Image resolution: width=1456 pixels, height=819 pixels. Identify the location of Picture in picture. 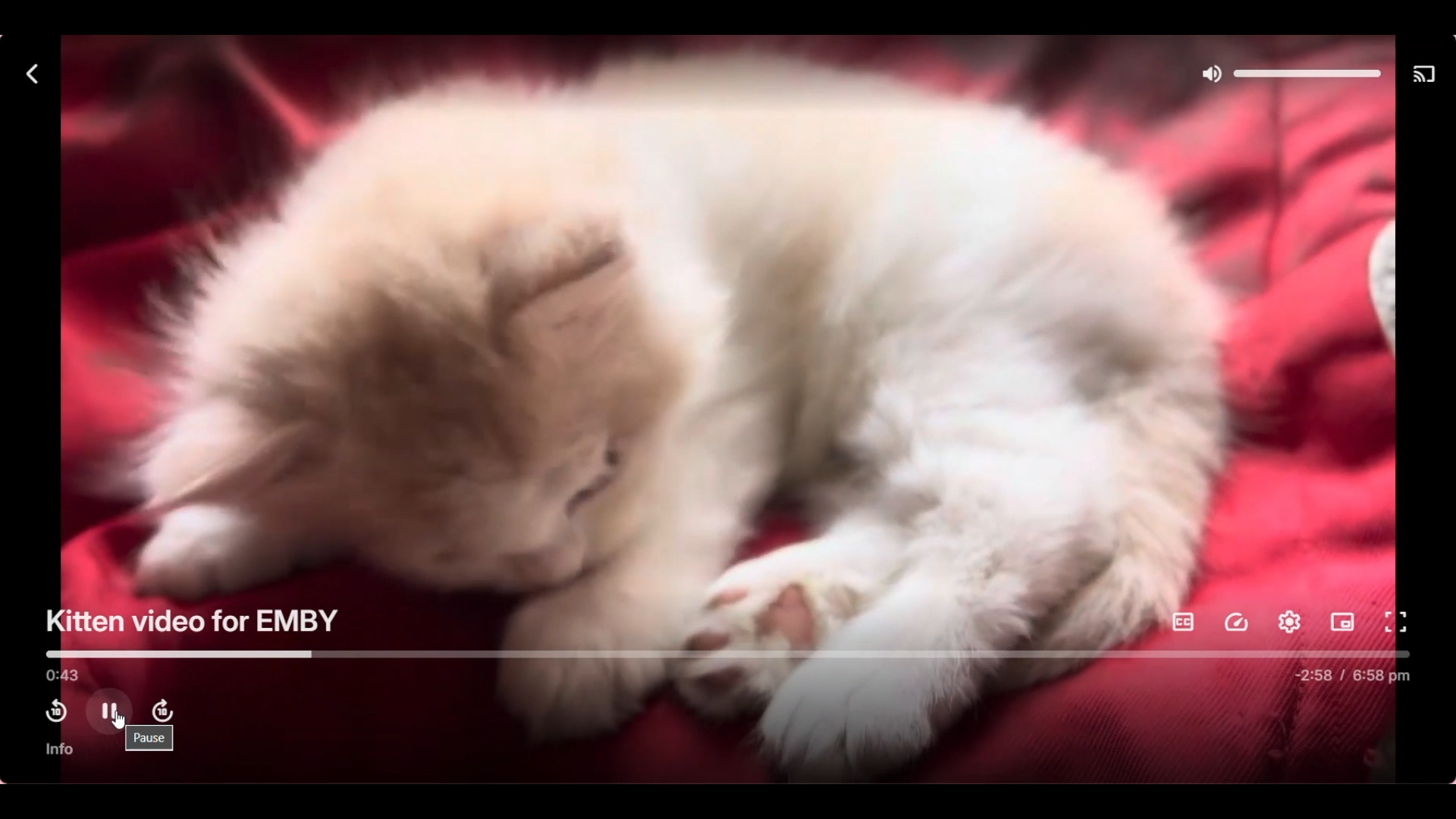
(1342, 623).